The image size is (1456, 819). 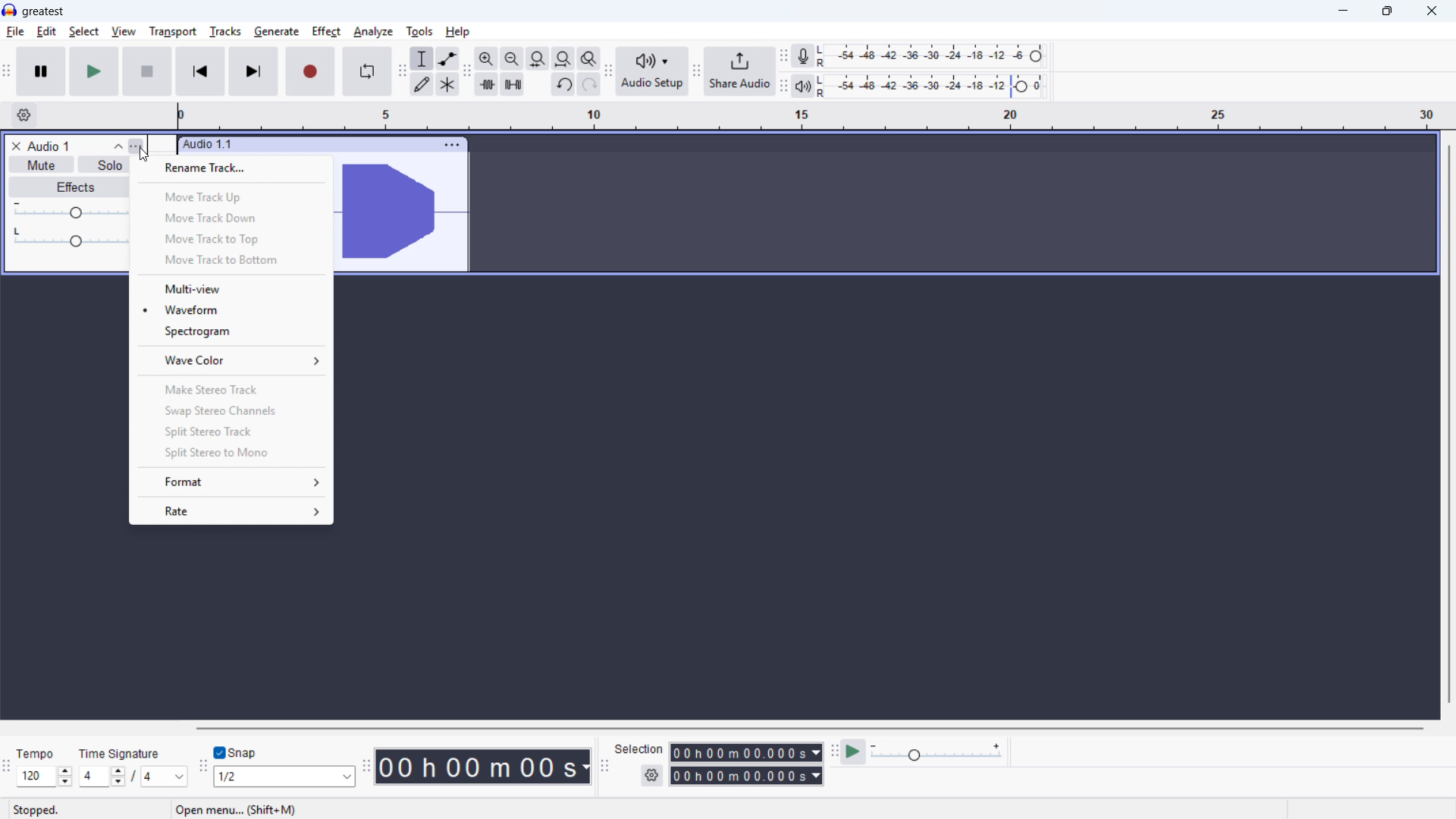 What do you see at coordinates (834, 752) in the screenshot?
I see `play at speed toolbar` at bounding box center [834, 752].